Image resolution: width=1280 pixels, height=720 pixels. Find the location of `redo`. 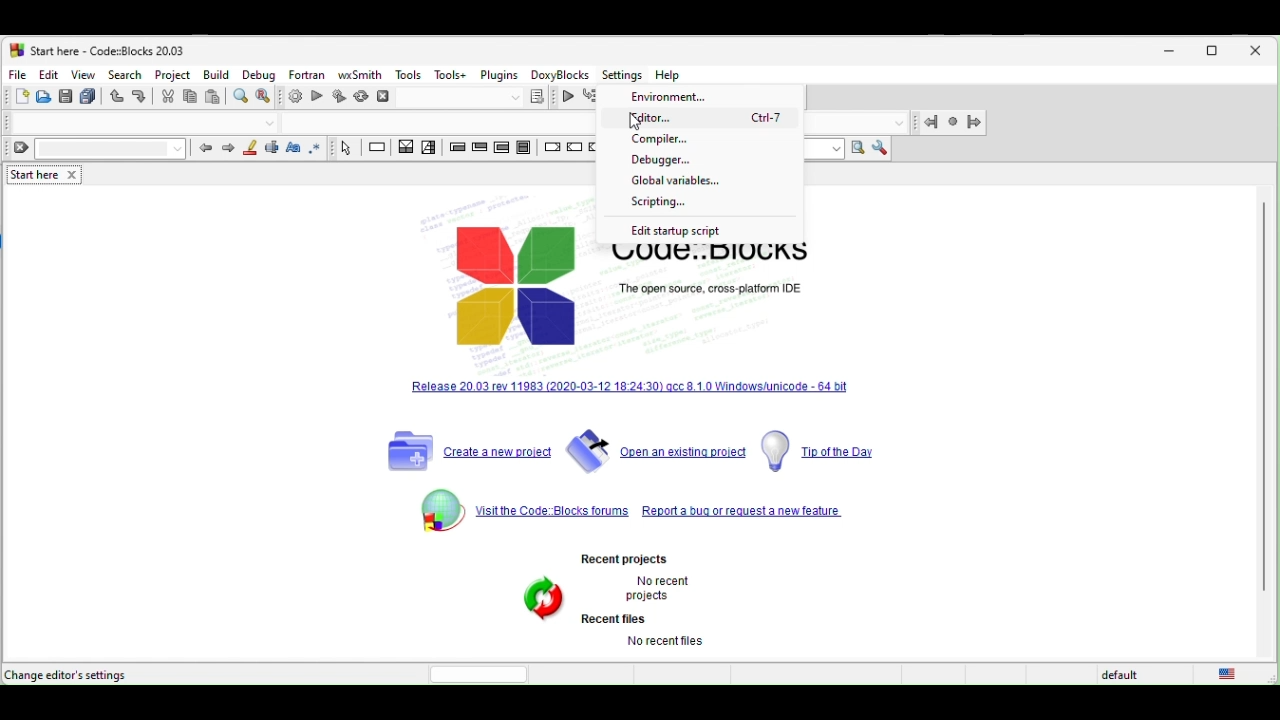

redo is located at coordinates (142, 97).